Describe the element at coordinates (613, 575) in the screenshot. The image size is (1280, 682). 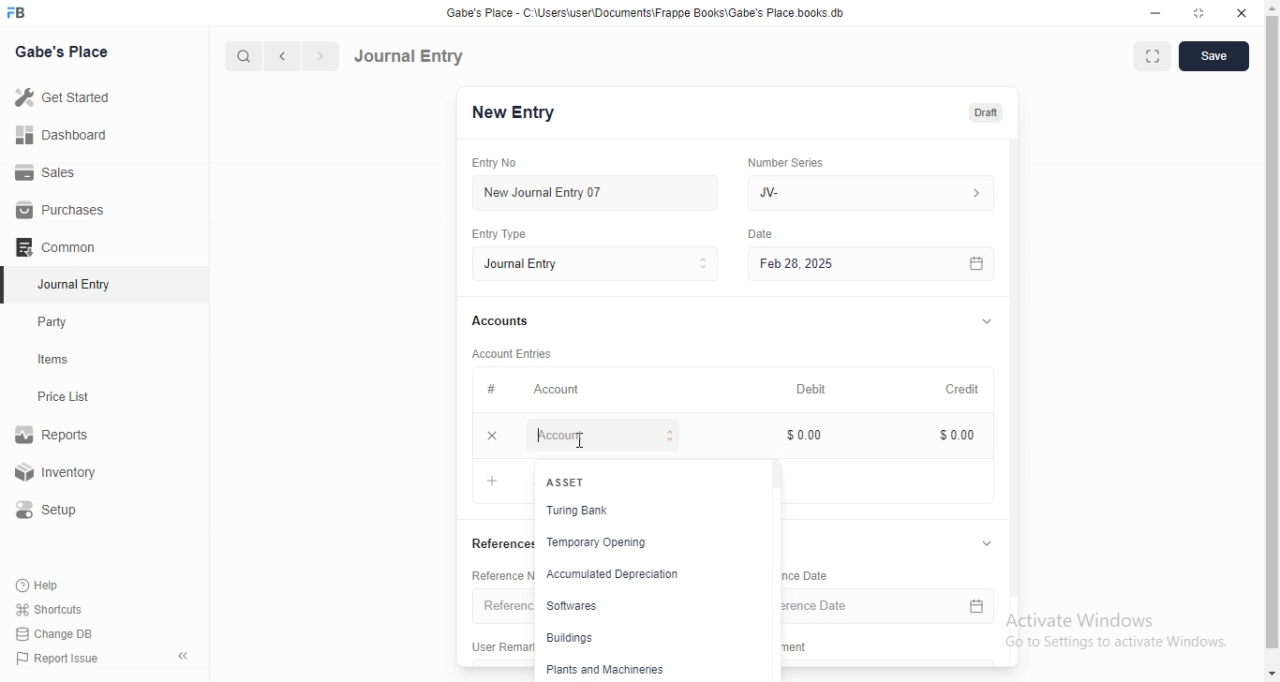
I see `‘Accumutated Depreciation` at that location.